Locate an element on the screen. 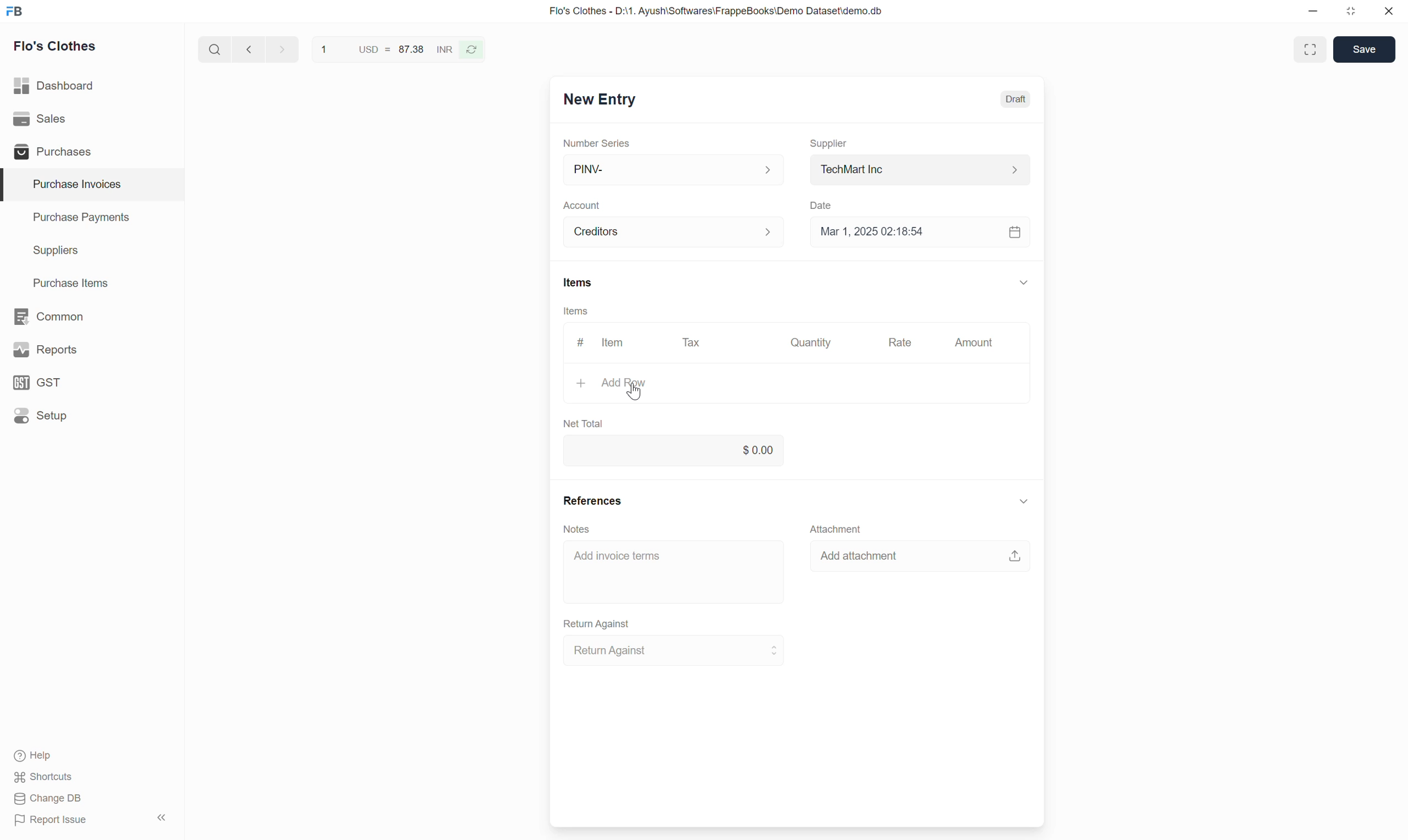 This screenshot has width=1408, height=840. Items is located at coordinates (579, 282).